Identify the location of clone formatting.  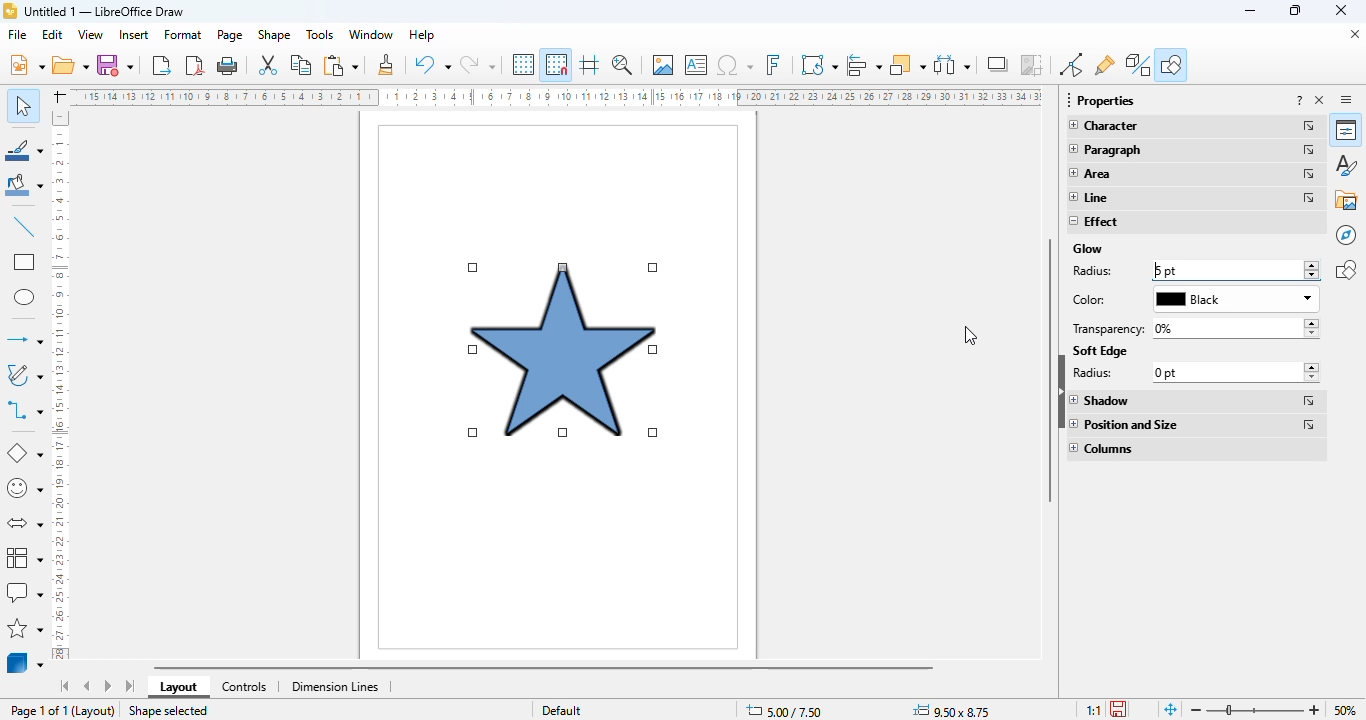
(385, 65).